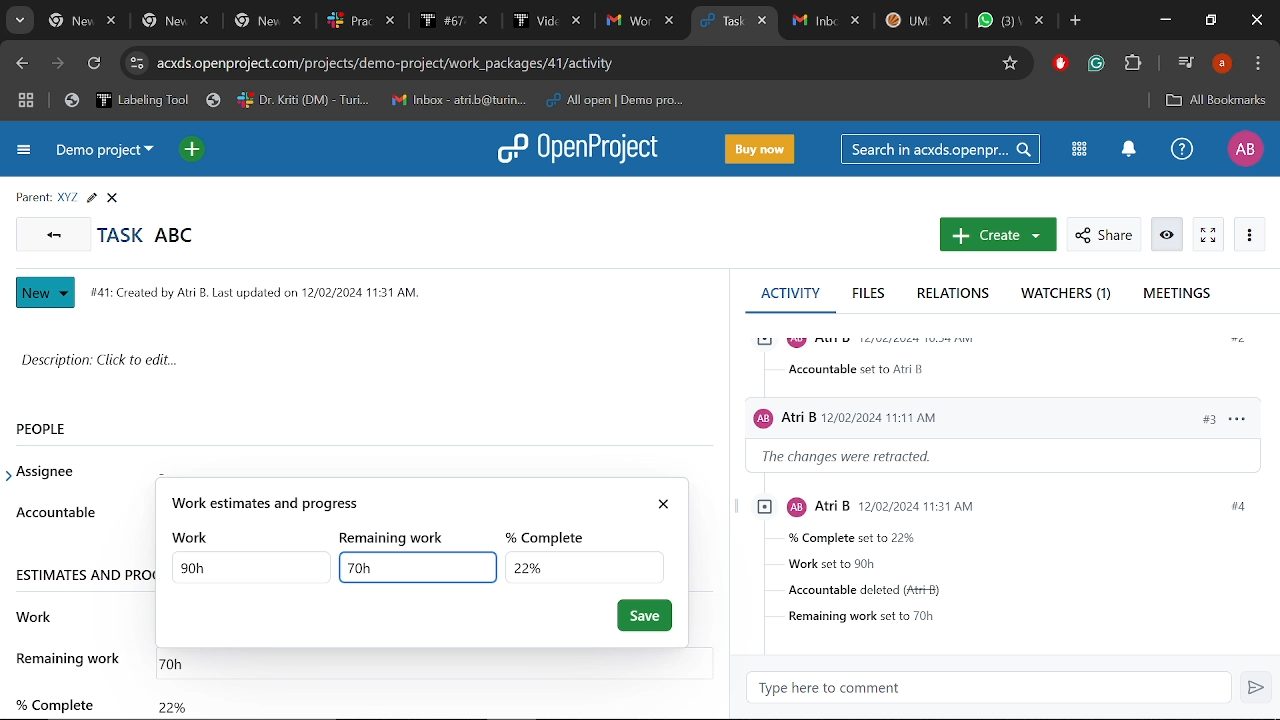 Image resolution: width=1280 pixels, height=720 pixels. Describe the element at coordinates (263, 290) in the screenshot. I see `task info` at that location.